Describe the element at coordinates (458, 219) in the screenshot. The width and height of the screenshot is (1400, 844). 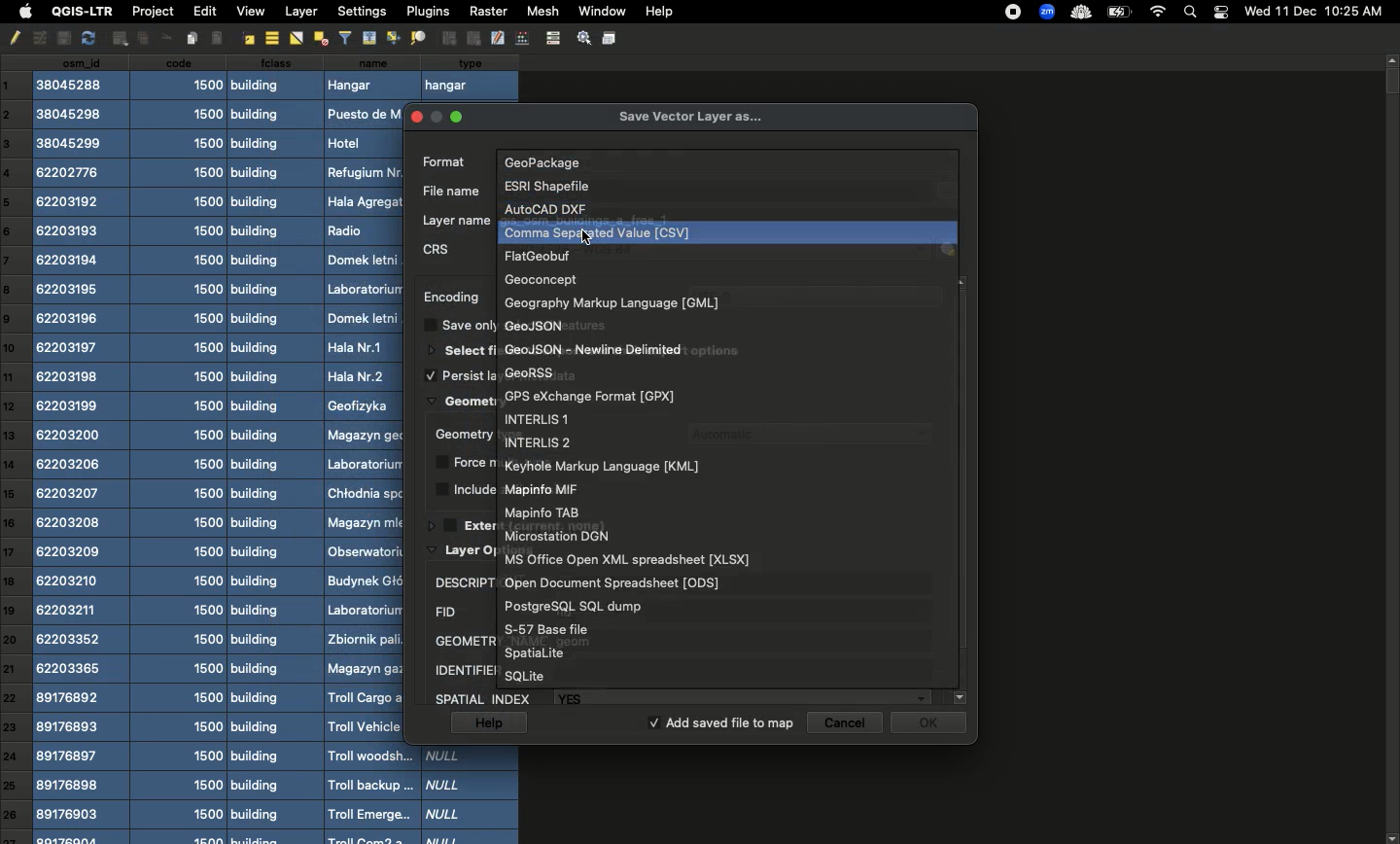
I see `Layer name` at that location.